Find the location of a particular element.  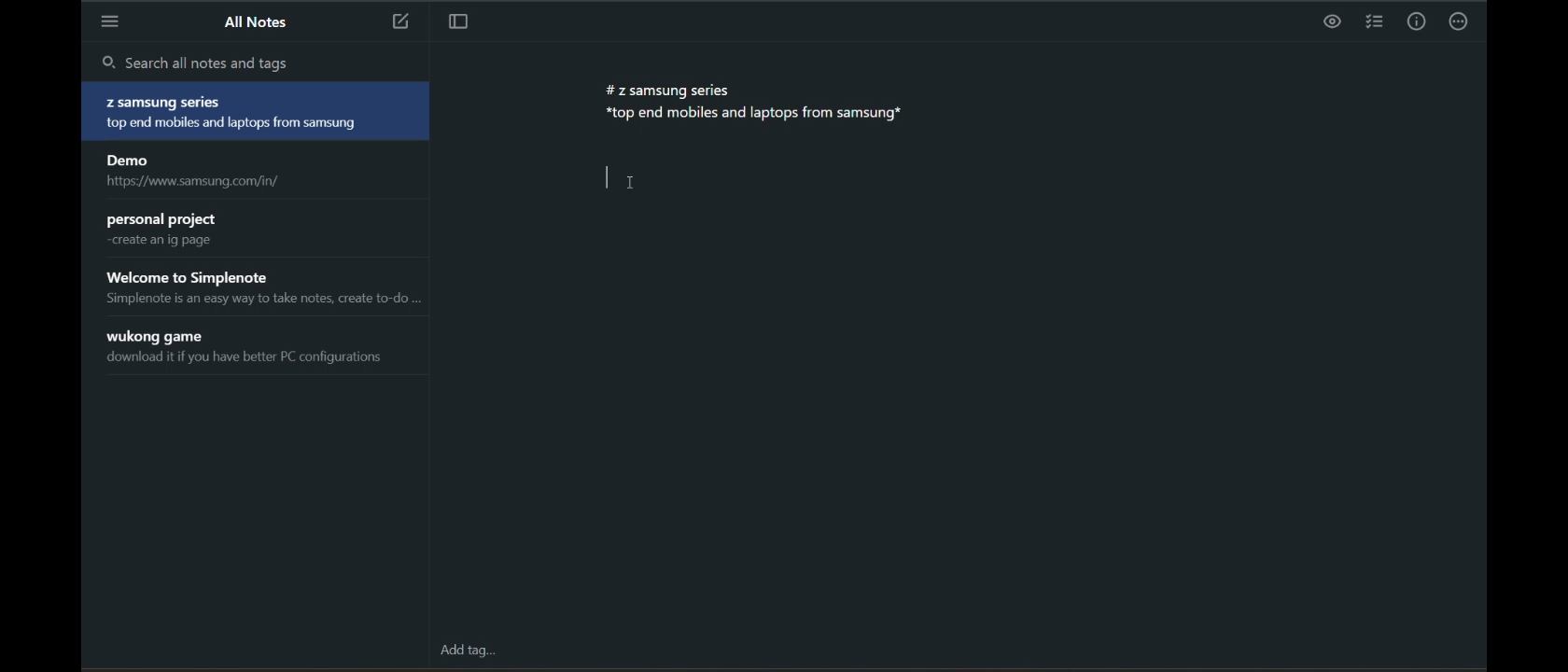

menu is located at coordinates (113, 21).